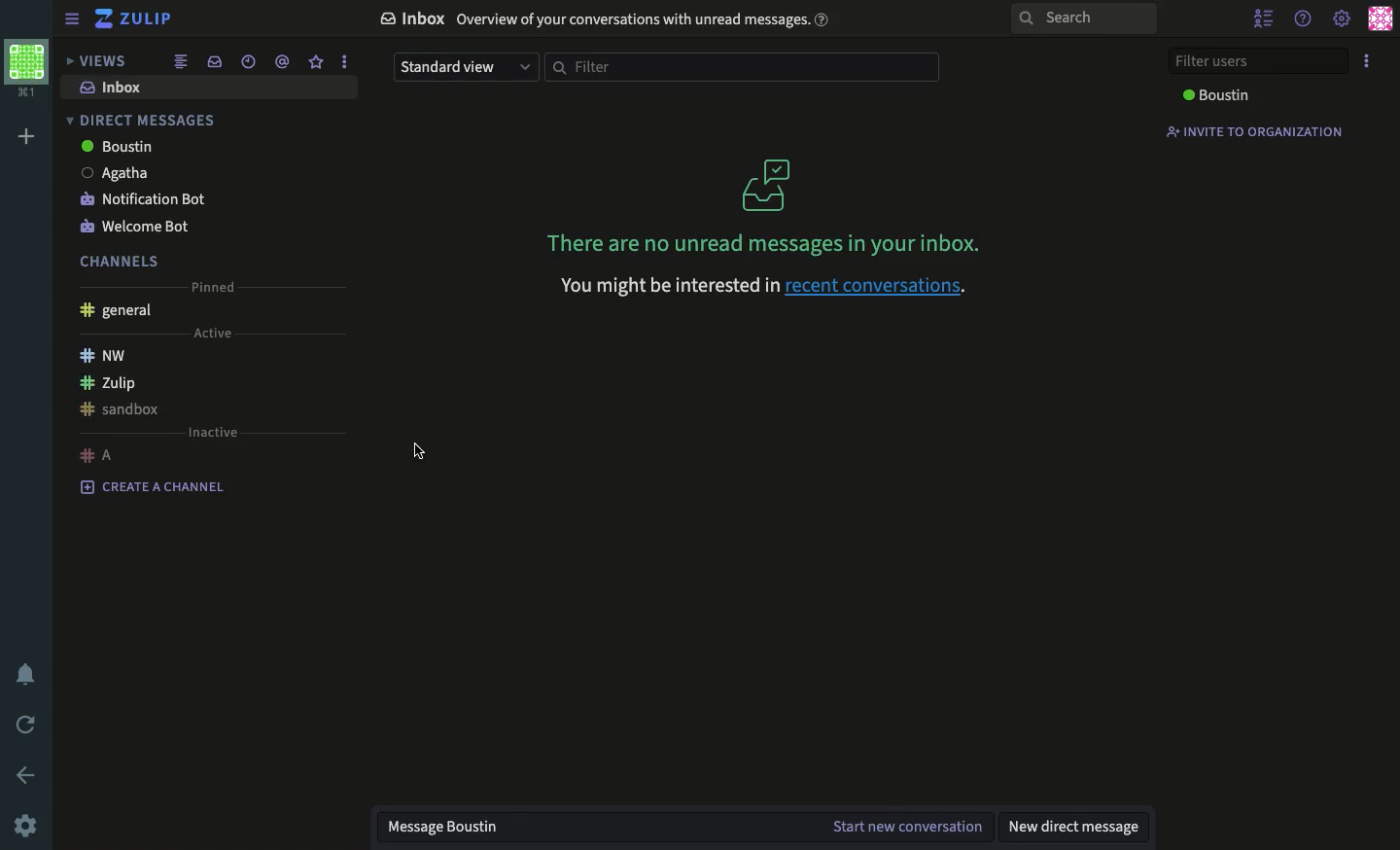  Describe the element at coordinates (248, 61) in the screenshot. I see `recent conversations` at that location.